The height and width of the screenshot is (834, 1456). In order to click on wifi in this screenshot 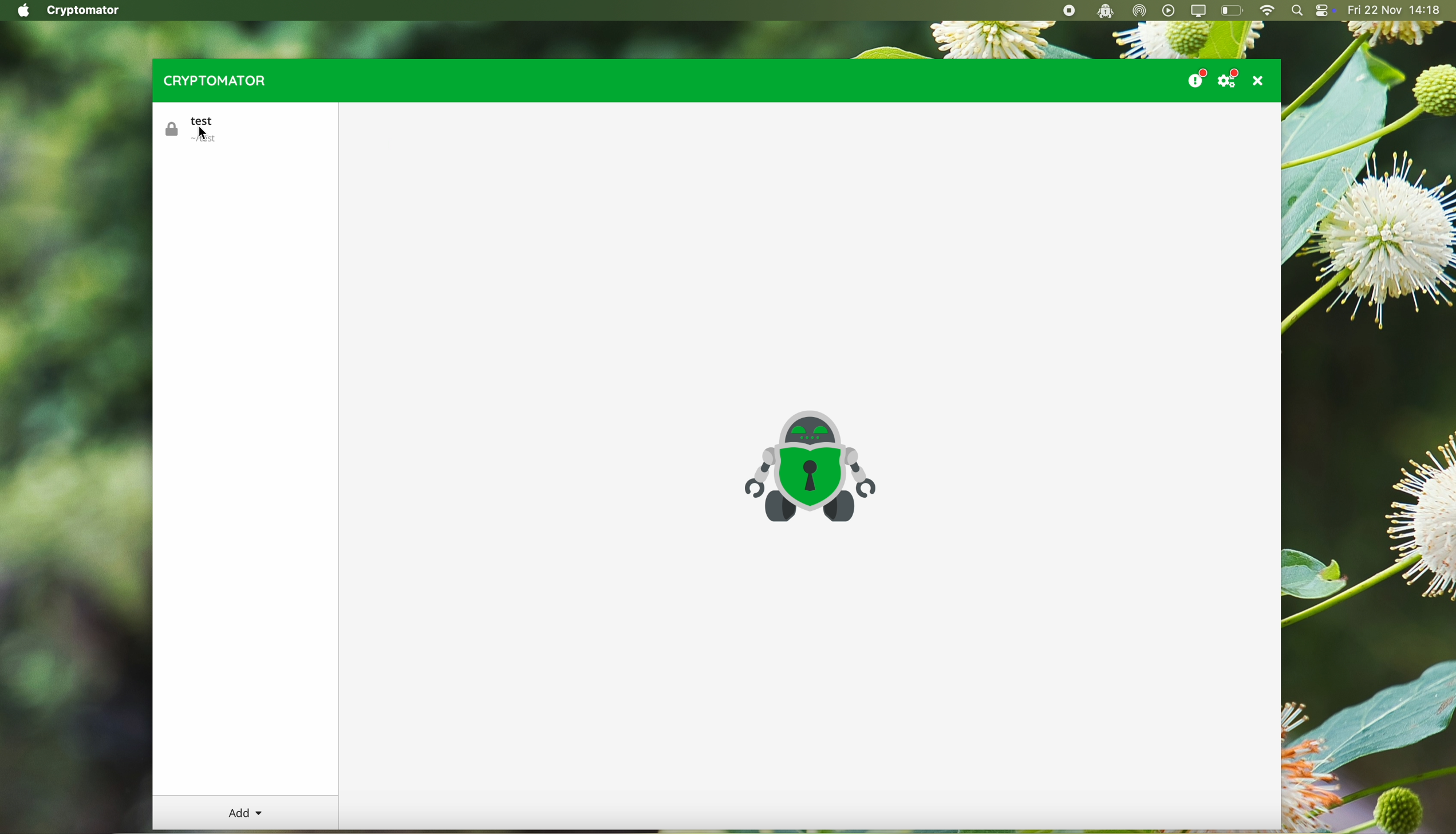, I will do `click(1266, 11)`.